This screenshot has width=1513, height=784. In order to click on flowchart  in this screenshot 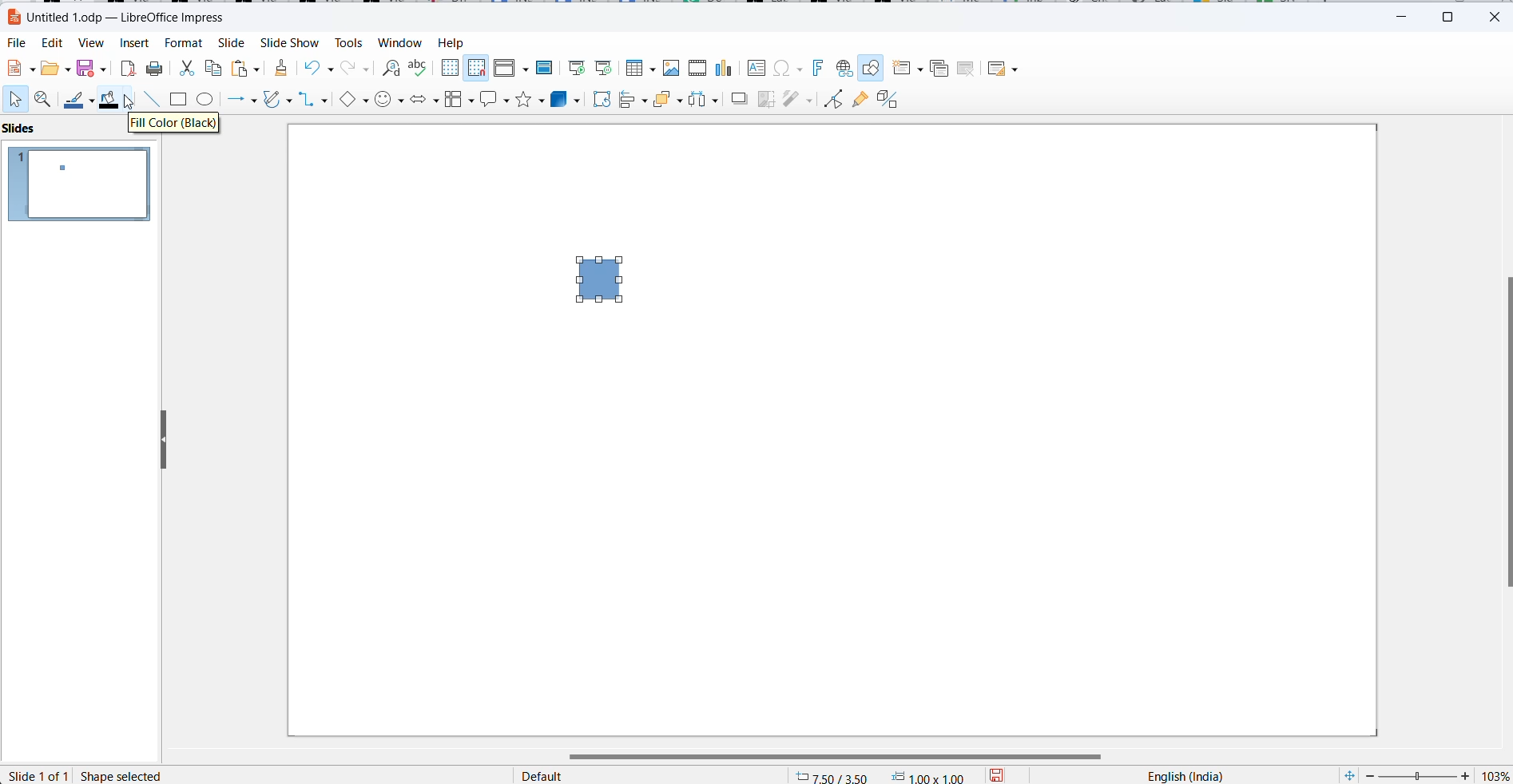, I will do `click(459, 99)`.